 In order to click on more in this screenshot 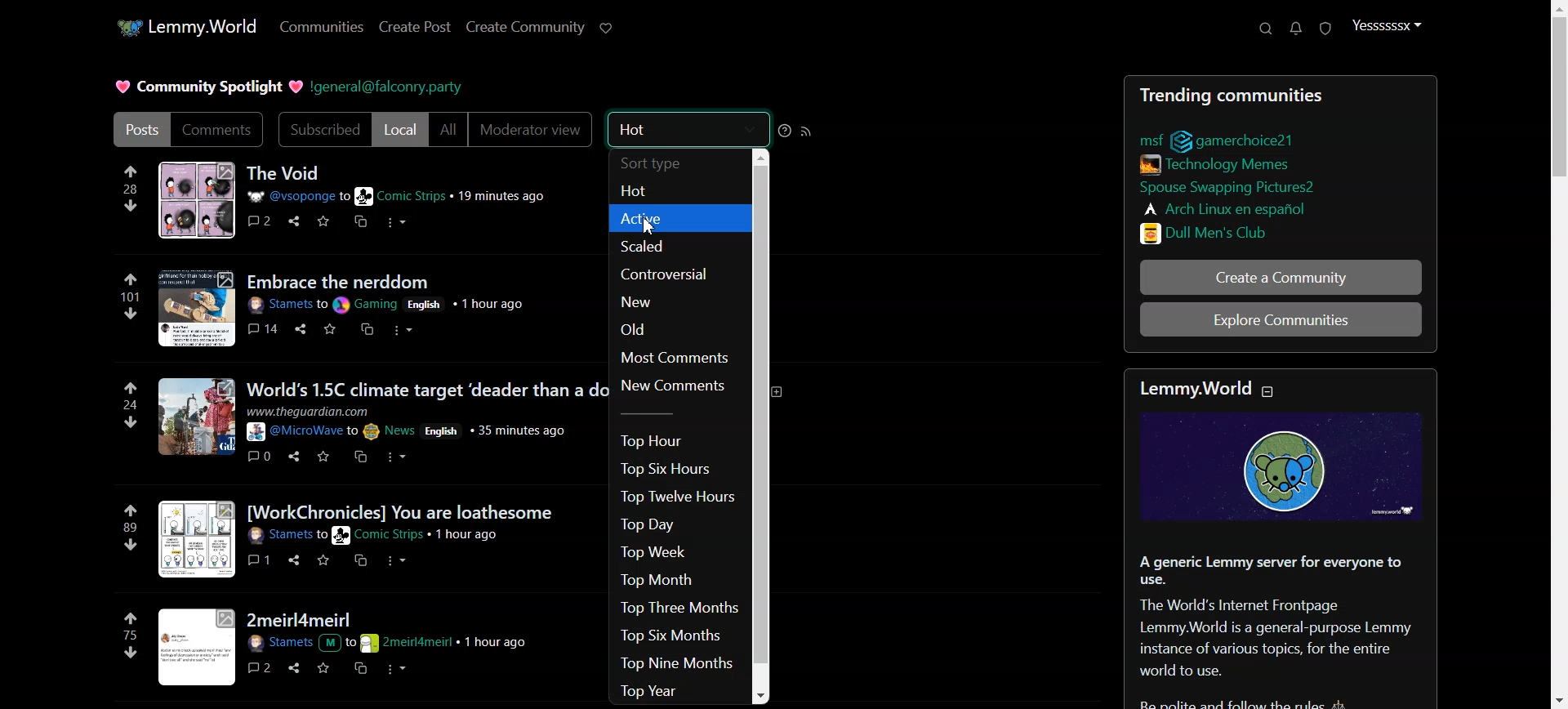, I will do `click(399, 331)`.